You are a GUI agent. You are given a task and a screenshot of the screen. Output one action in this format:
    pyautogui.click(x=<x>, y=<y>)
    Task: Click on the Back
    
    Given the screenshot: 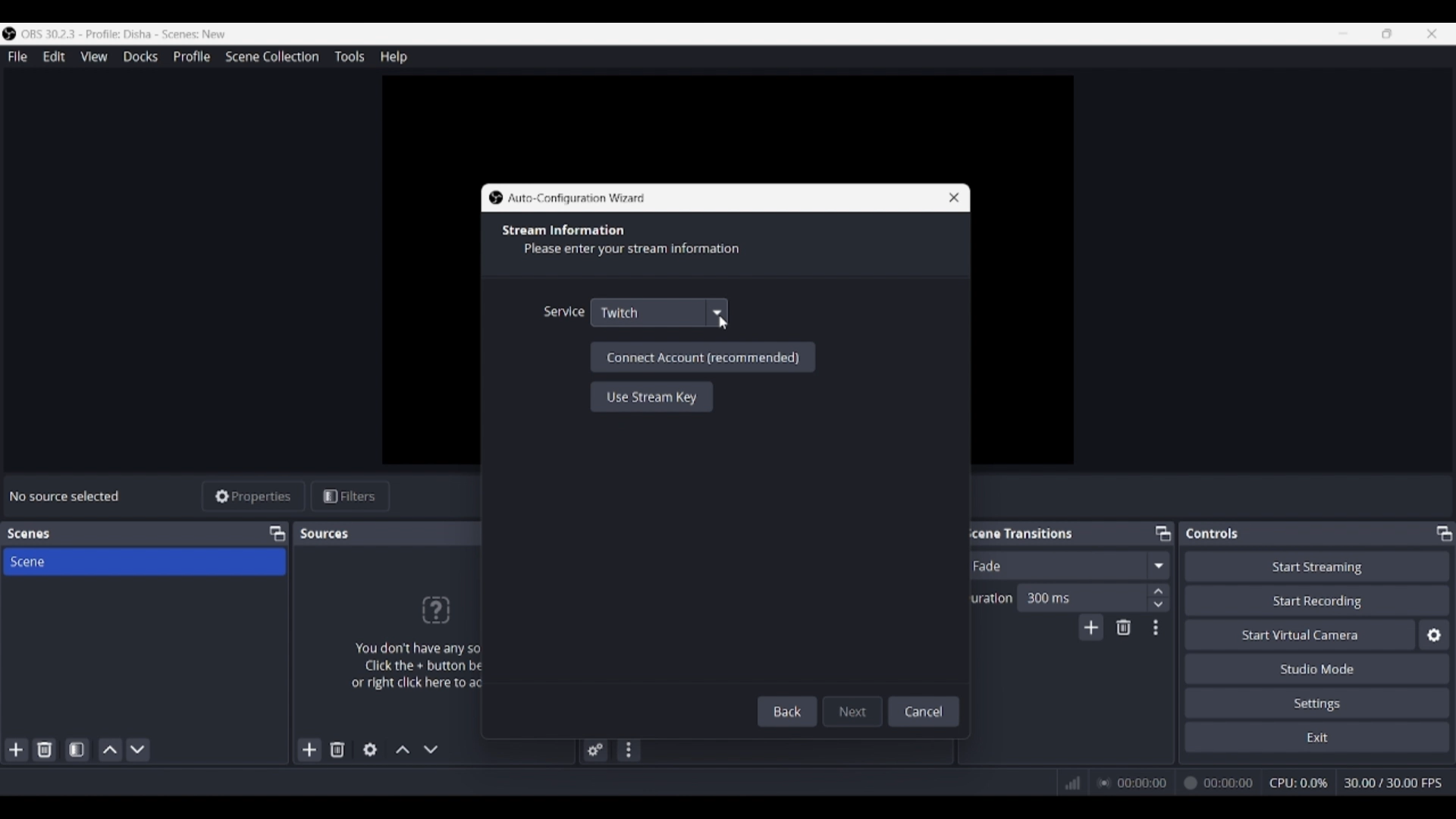 What is the action you would take?
    pyautogui.click(x=790, y=711)
    